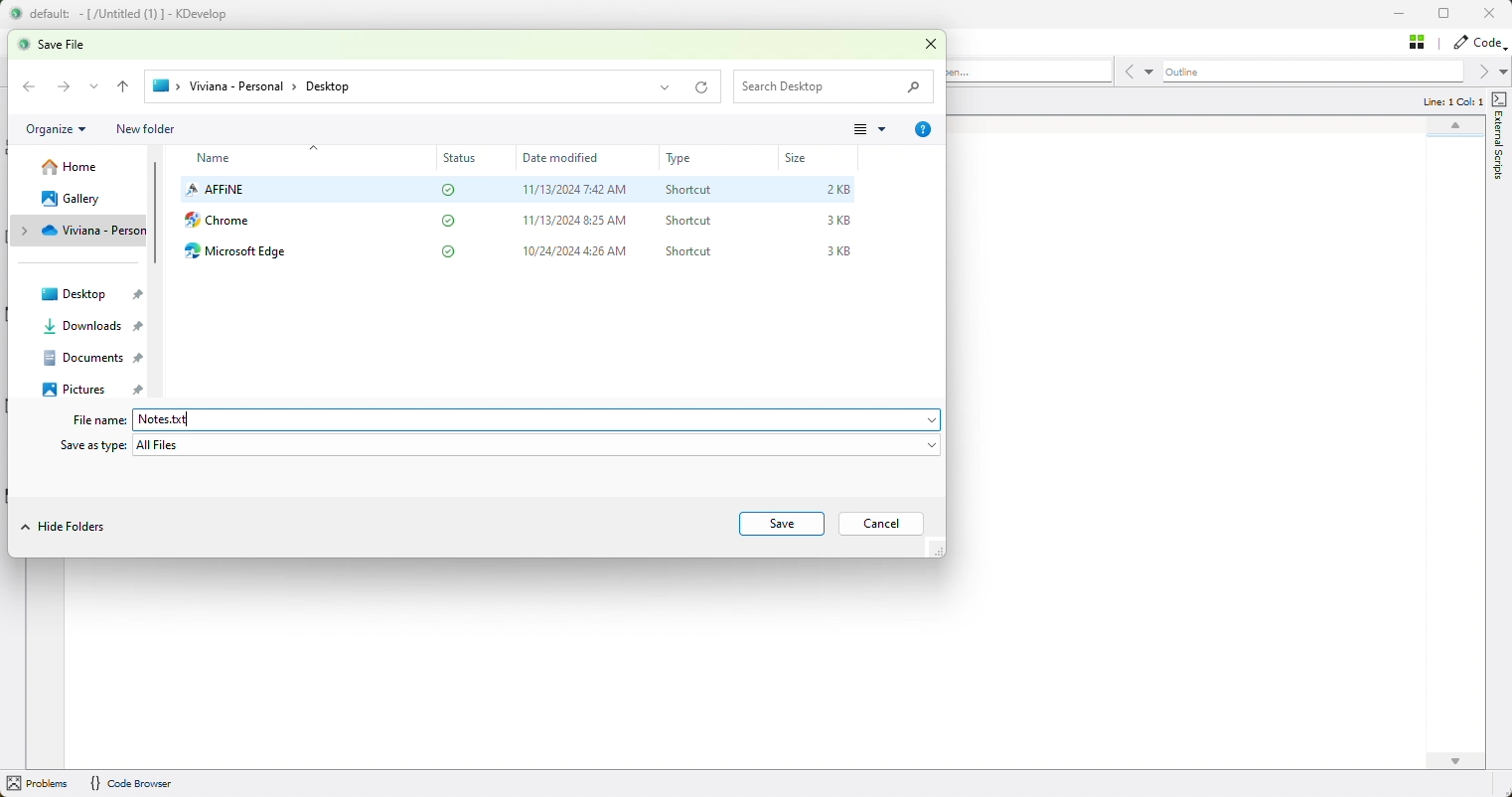  I want to click on Outline, so click(1311, 73).